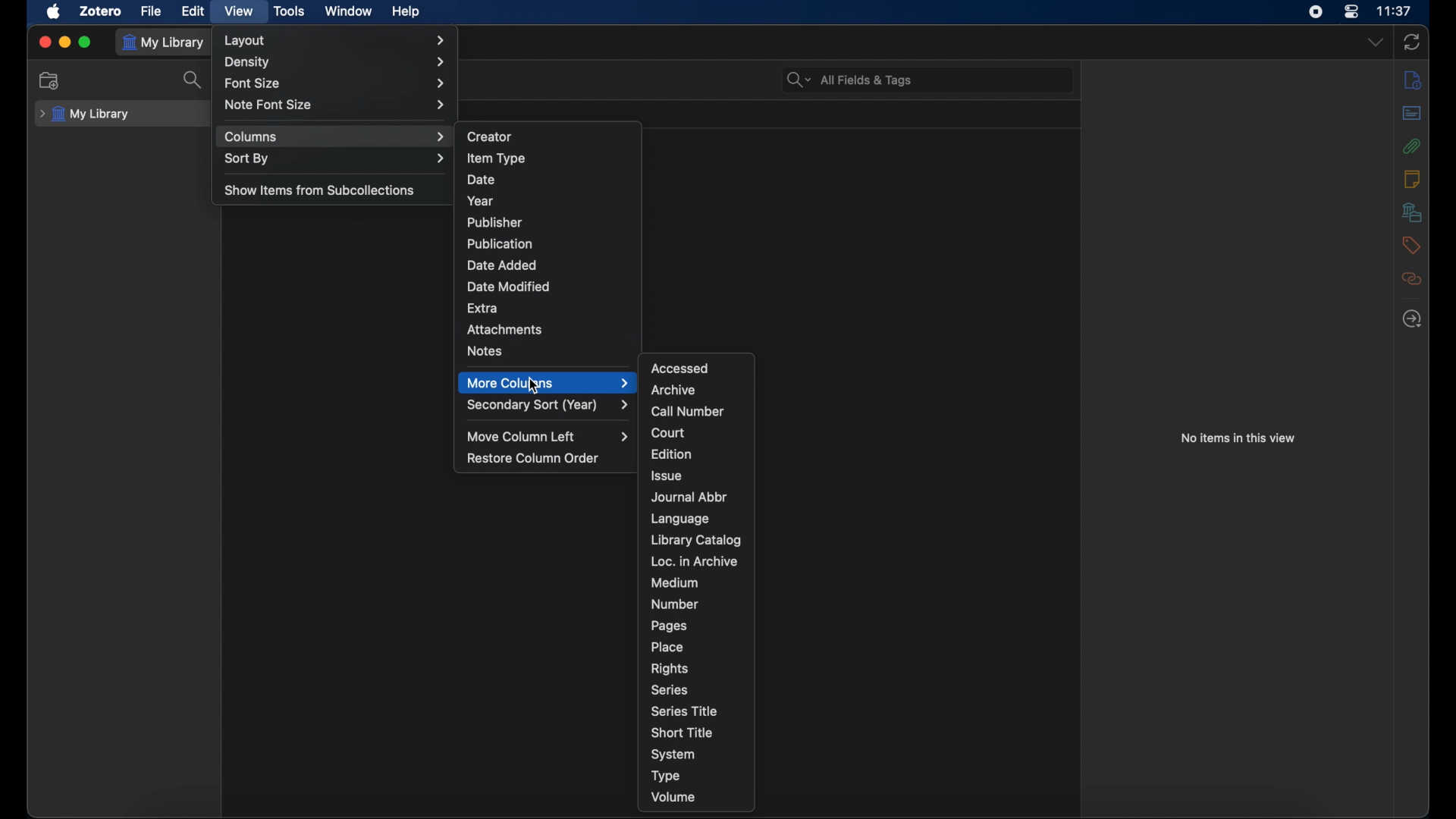  I want to click on accessed, so click(681, 368).